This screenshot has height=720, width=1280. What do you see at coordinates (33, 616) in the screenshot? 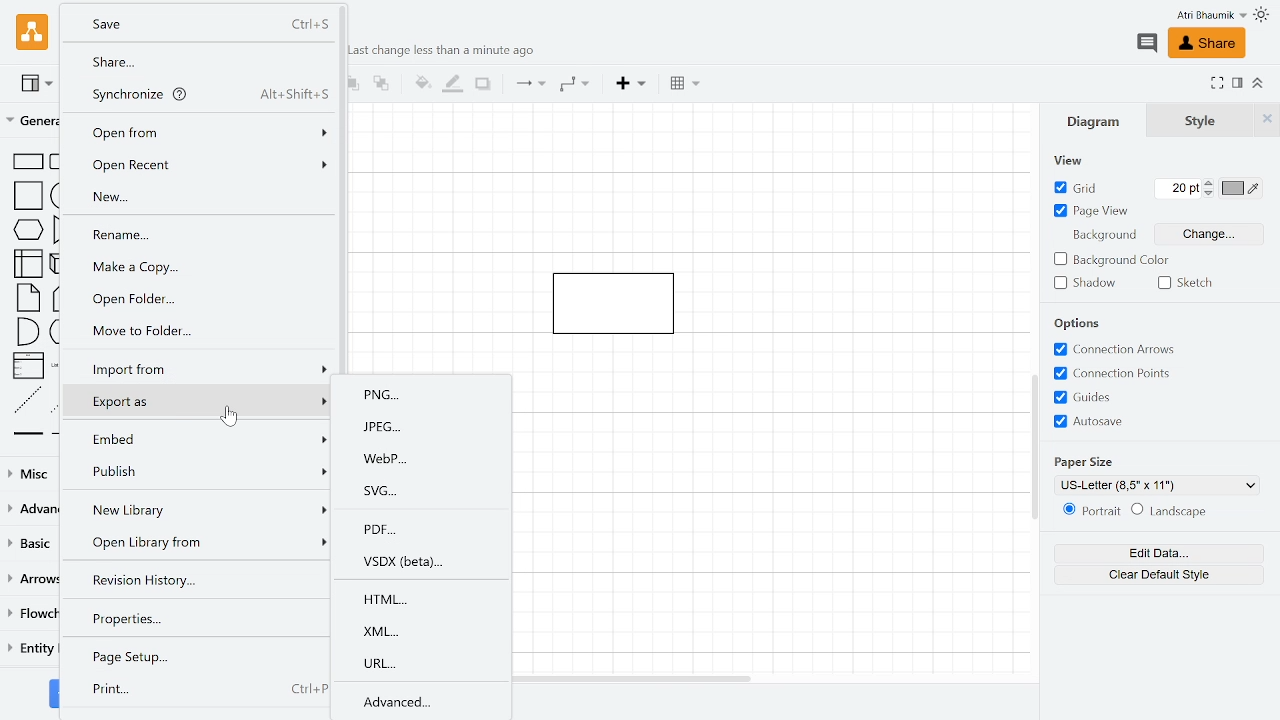
I see `Flowchart` at bounding box center [33, 616].